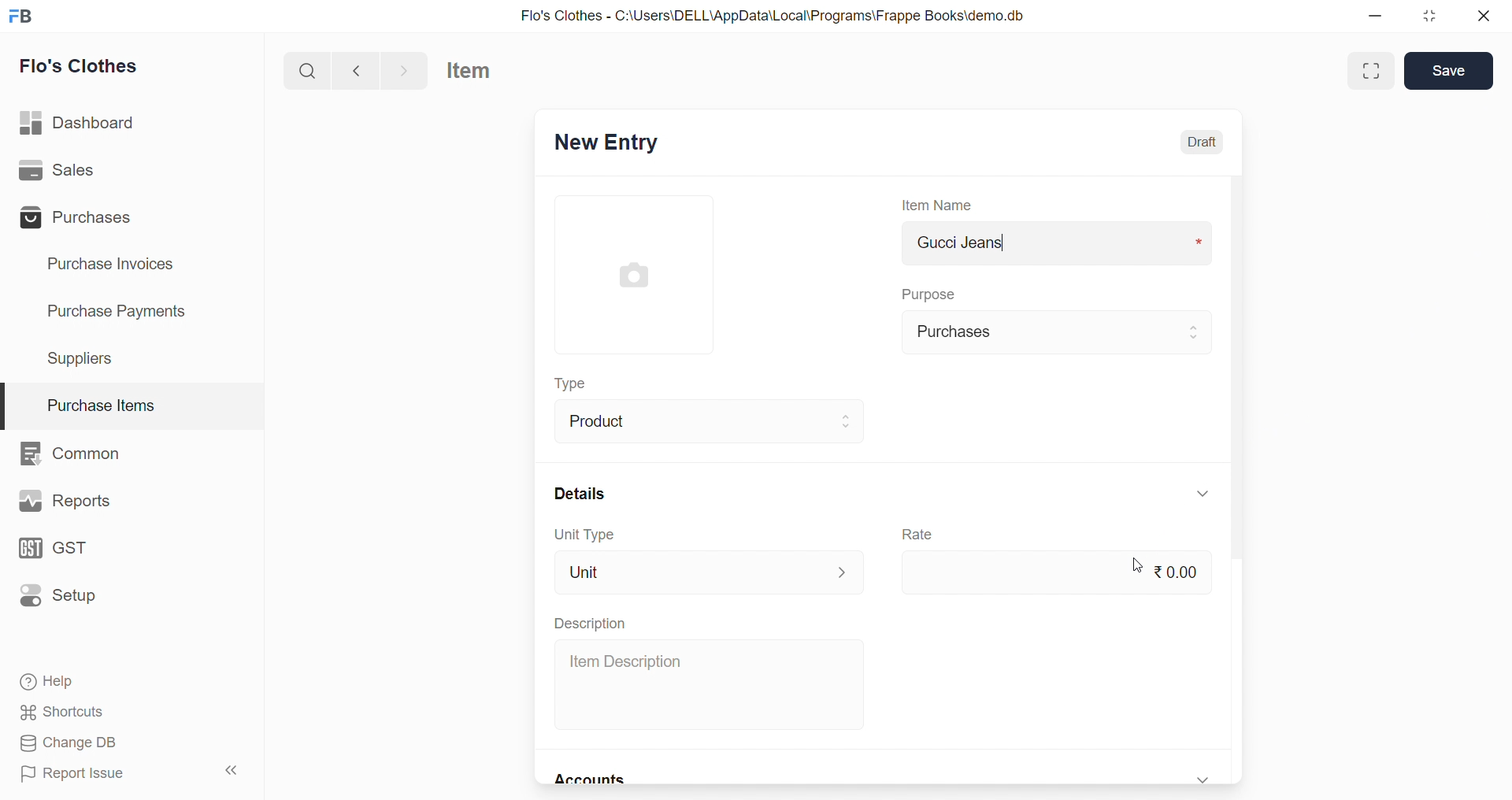 This screenshot has width=1512, height=800. What do you see at coordinates (1205, 777) in the screenshot?
I see `expand/collapse` at bounding box center [1205, 777].